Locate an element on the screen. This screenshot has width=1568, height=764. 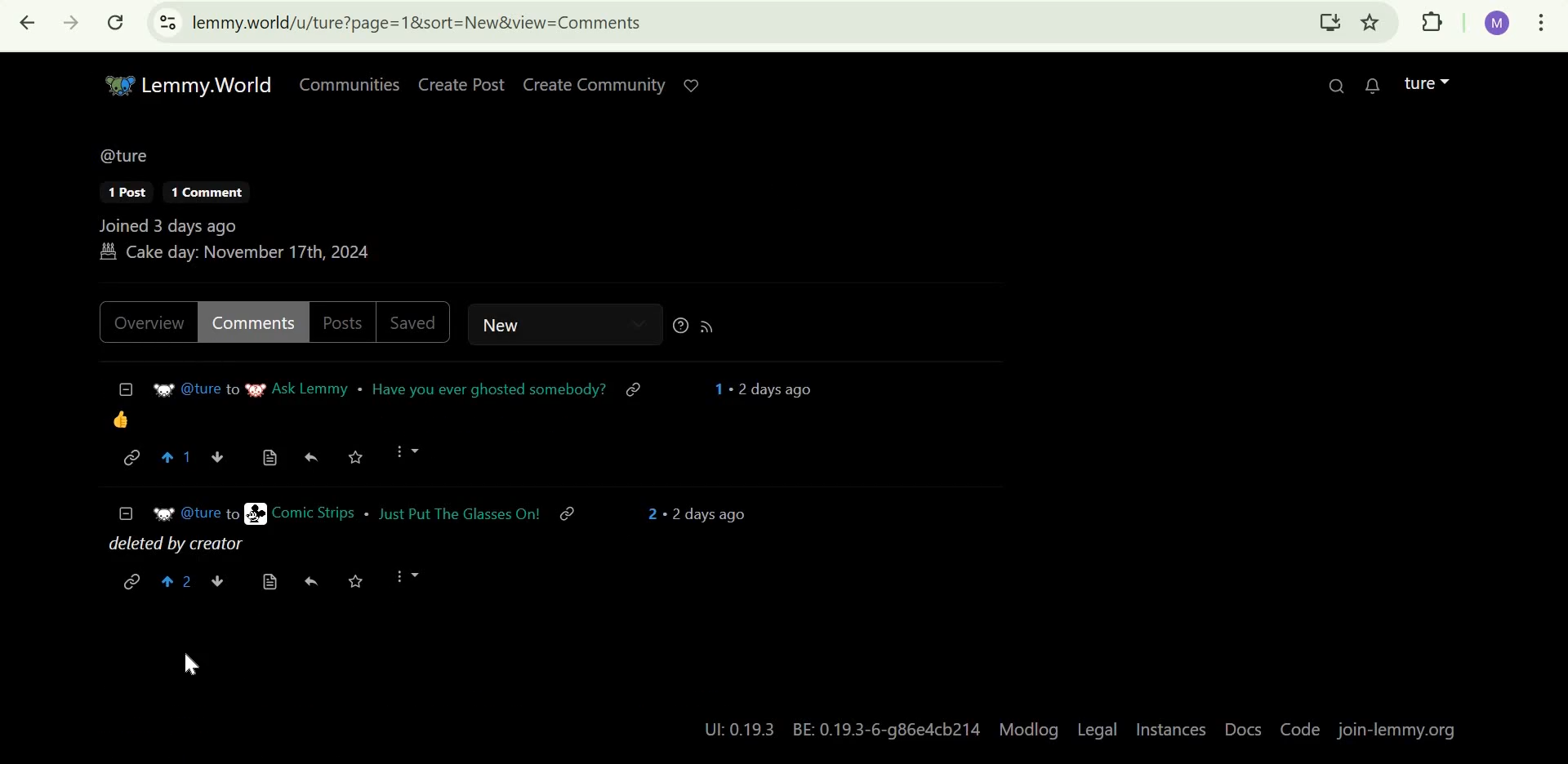
sorting help is located at coordinates (678, 324).